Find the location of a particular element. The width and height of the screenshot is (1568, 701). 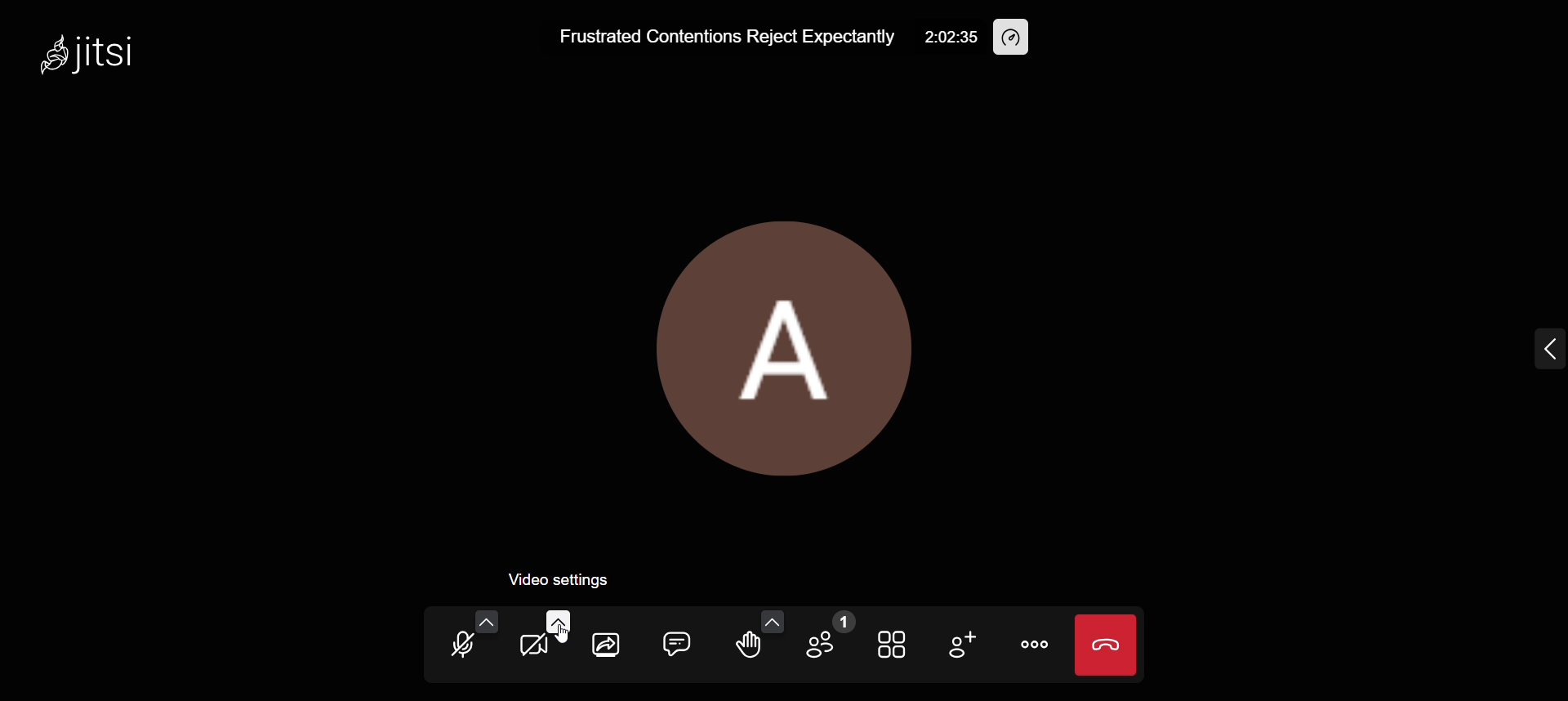

share screen is located at coordinates (604, 649).